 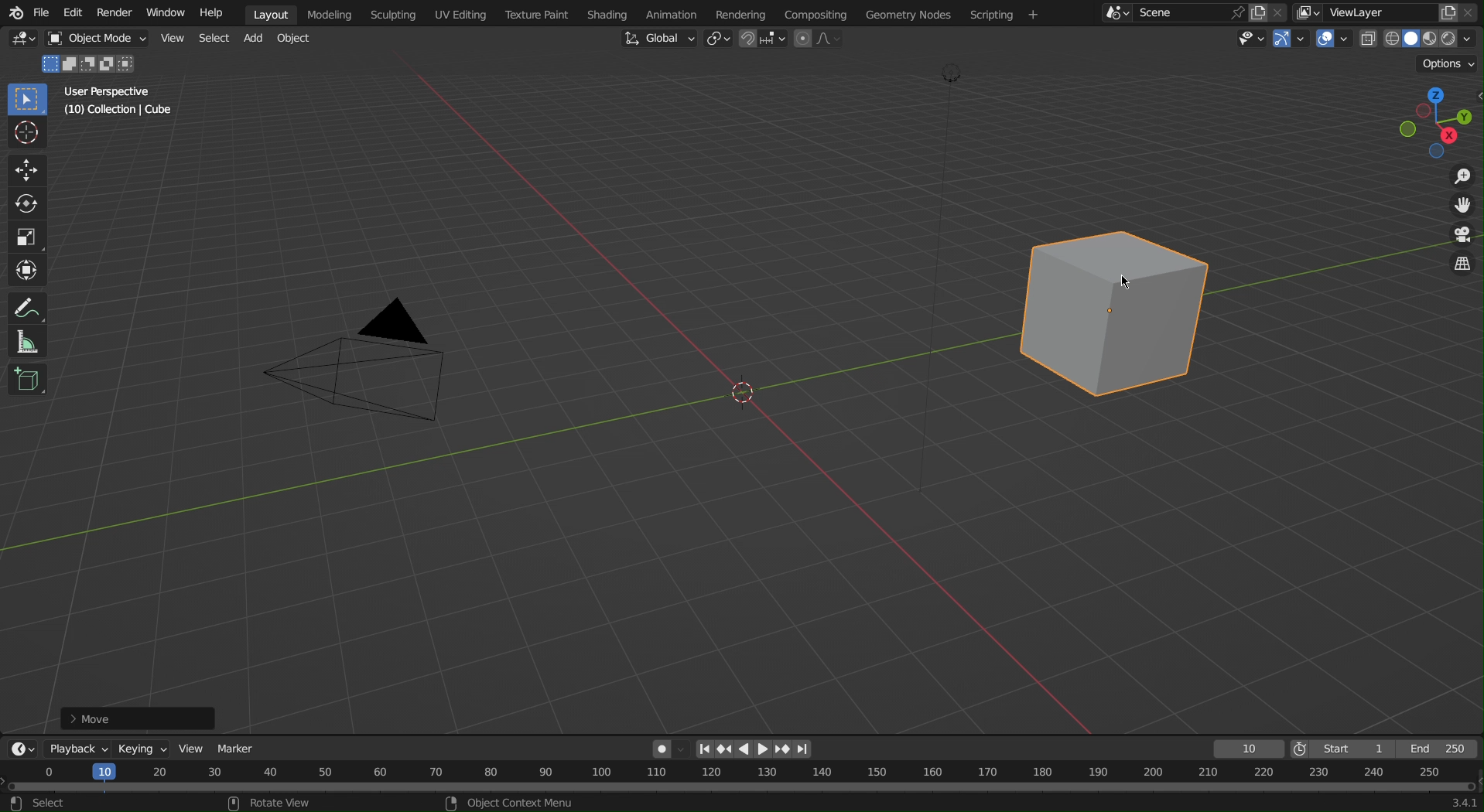 What do you see at coordinates (91, 65) in the screenshot?
I see `Mode` at bounding box center [91, 65].